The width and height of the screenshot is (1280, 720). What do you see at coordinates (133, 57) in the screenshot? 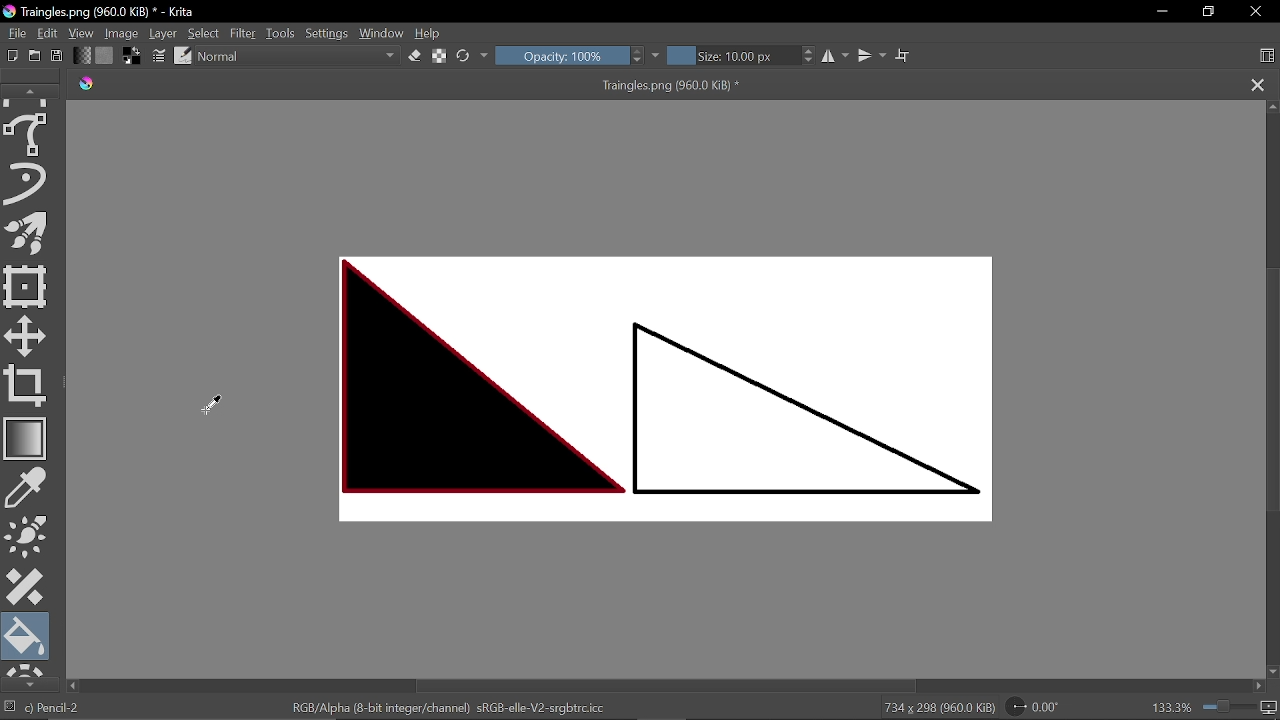
I see `Foreground and background color` at bounding box center [133, 57].